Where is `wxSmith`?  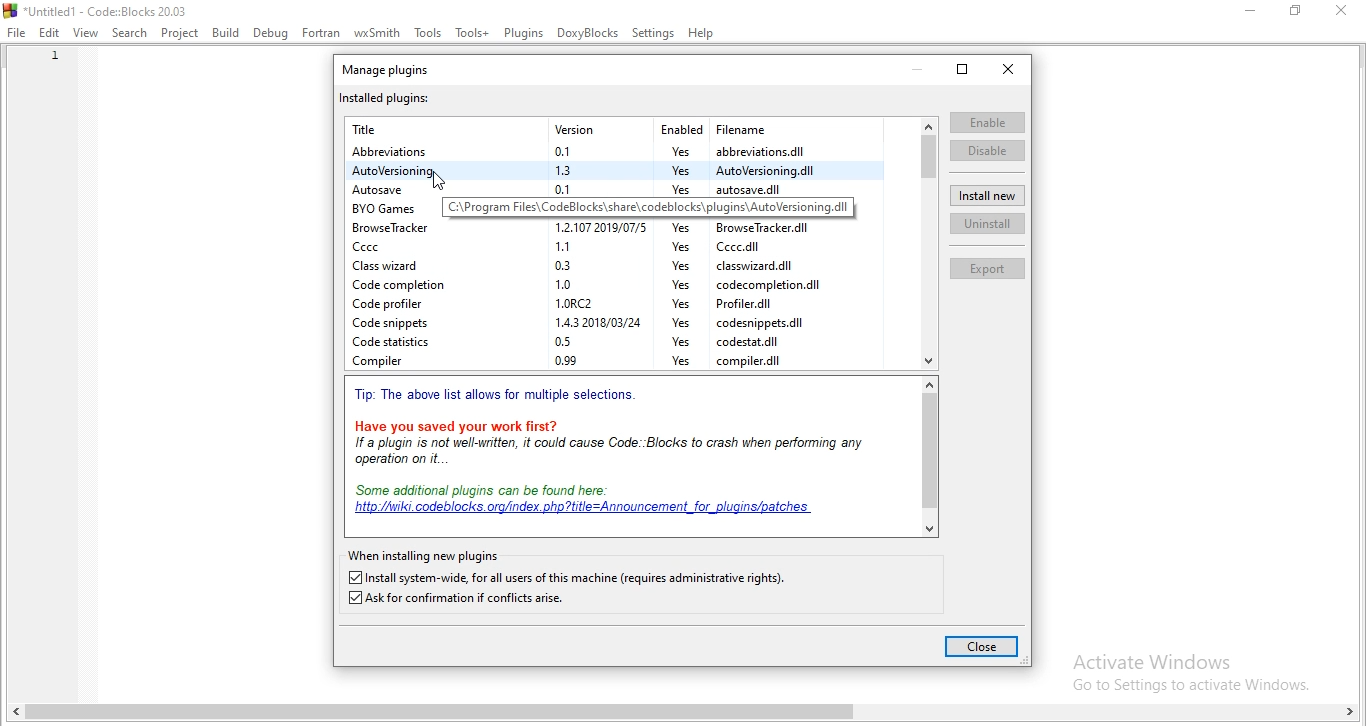 wxSmith is located at coordinates (376, 30).